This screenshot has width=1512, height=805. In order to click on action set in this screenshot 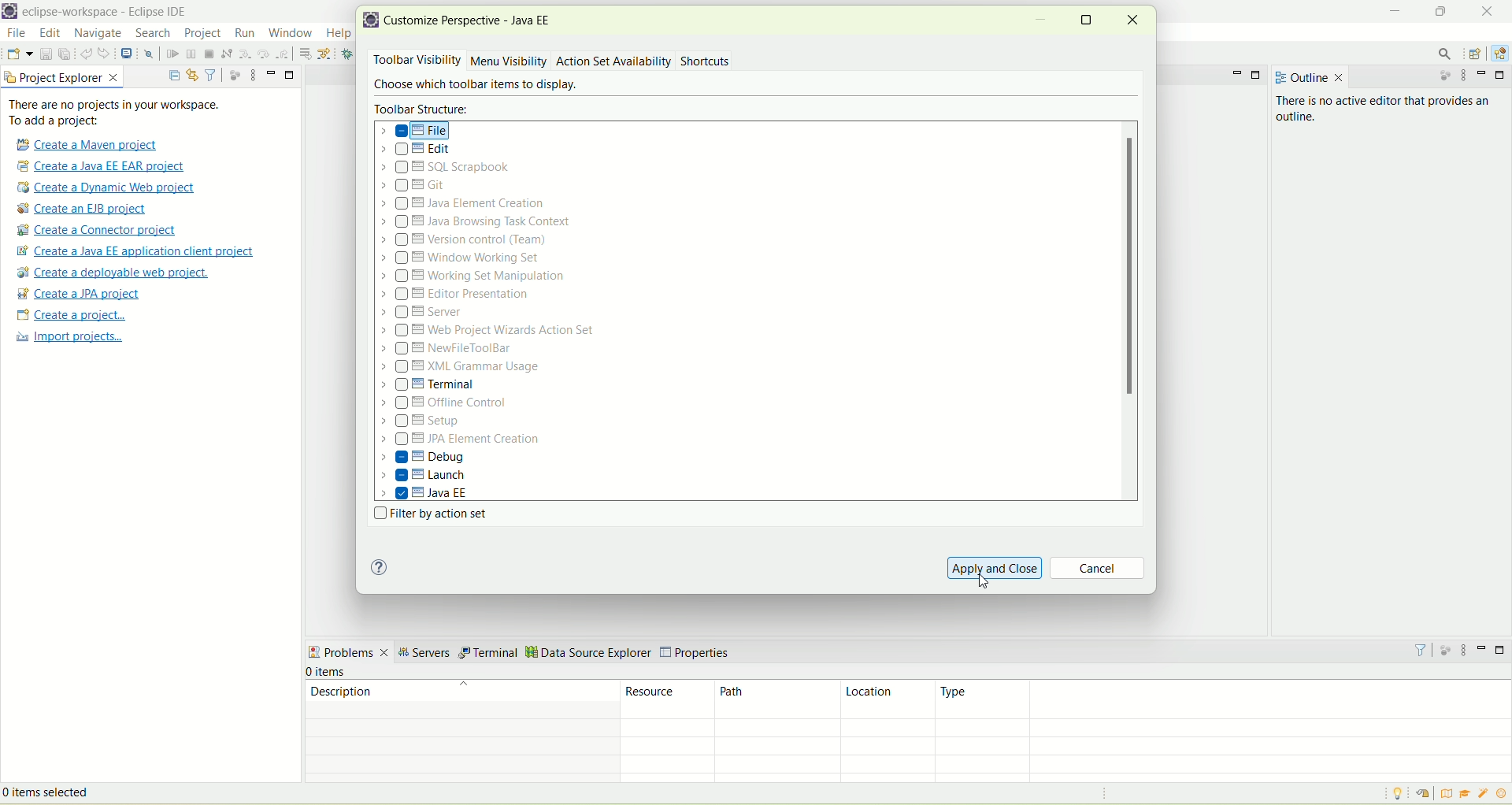, I will do `click(582, 60)`.